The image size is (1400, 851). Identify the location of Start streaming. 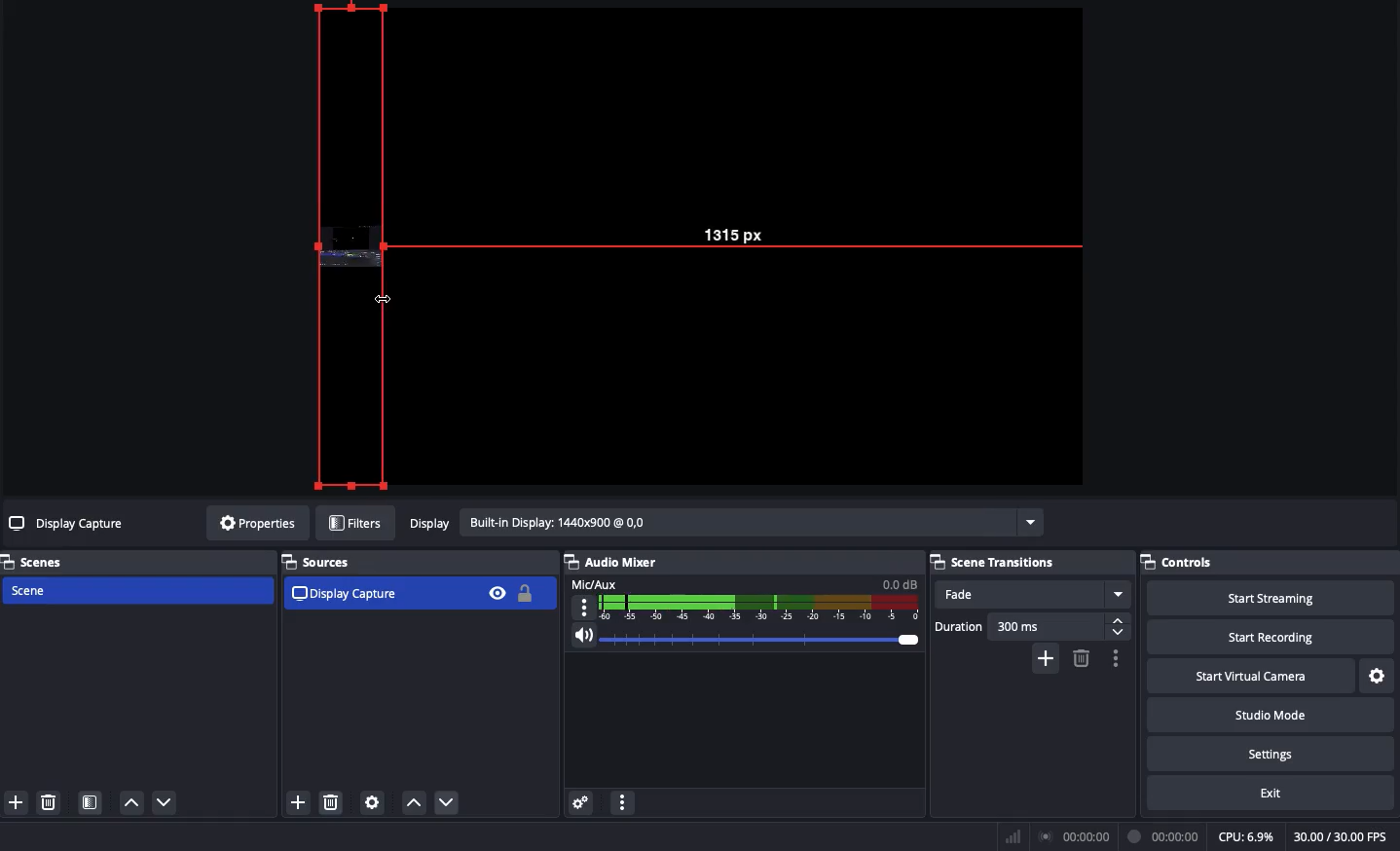
(1272, 596).